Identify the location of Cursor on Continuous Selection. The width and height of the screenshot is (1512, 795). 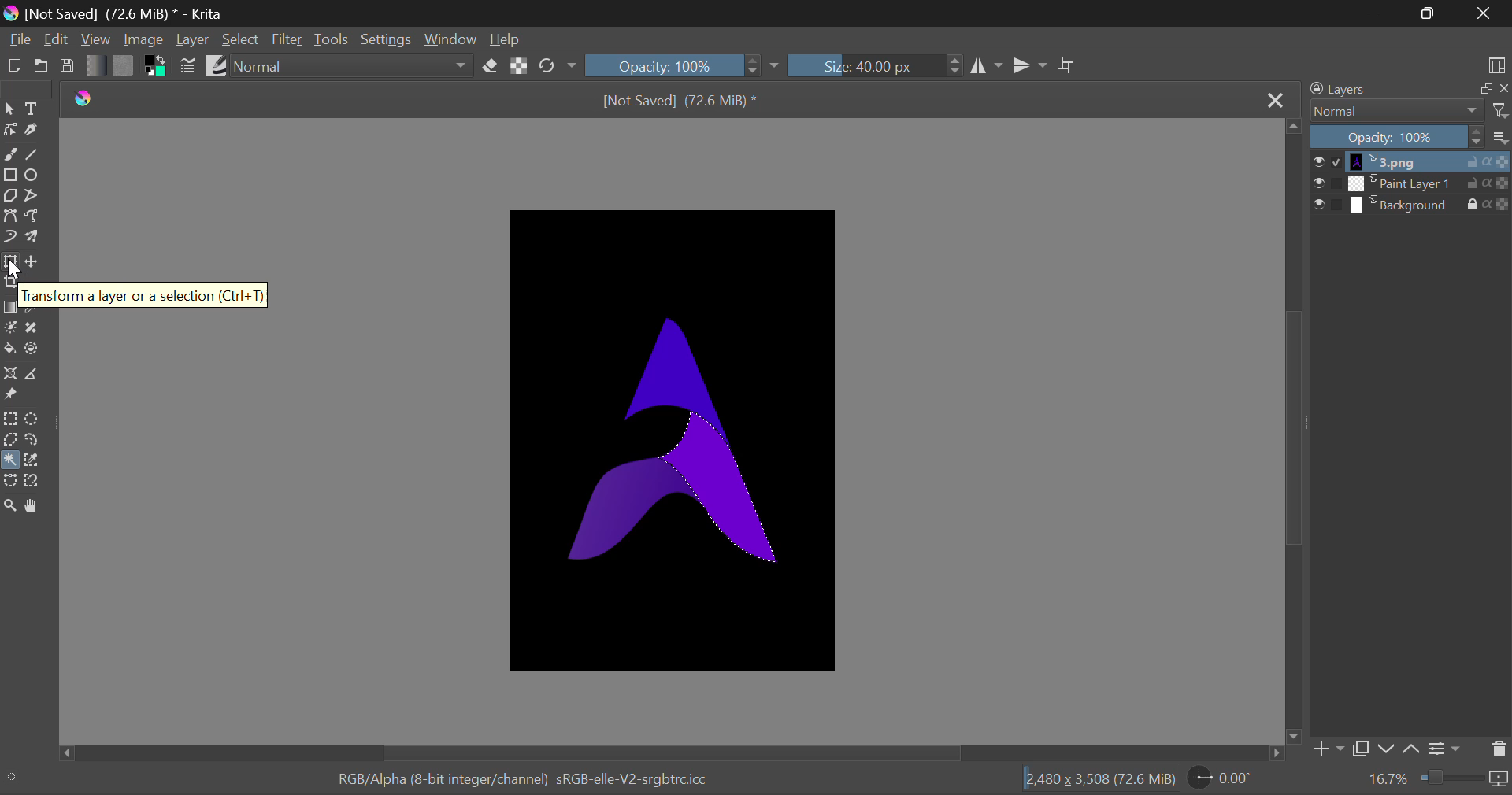
(10, 460).